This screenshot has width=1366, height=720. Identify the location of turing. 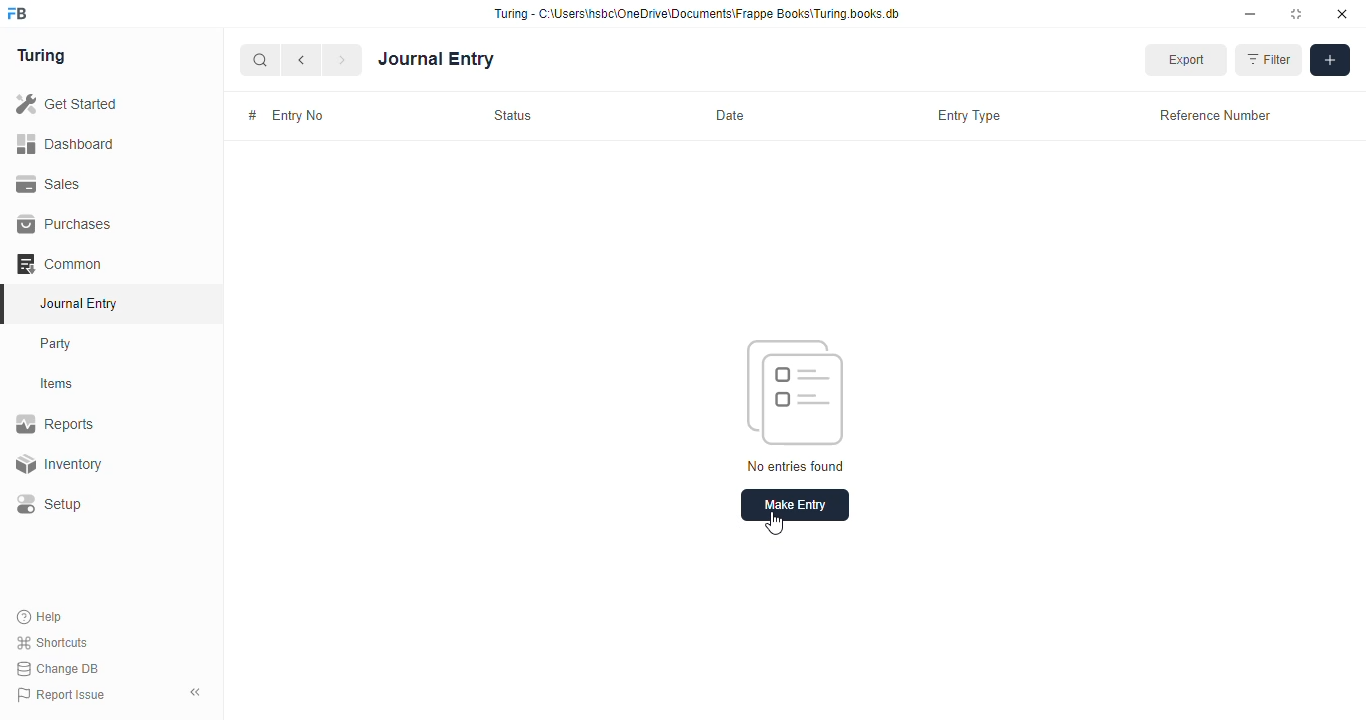
(42, 57).